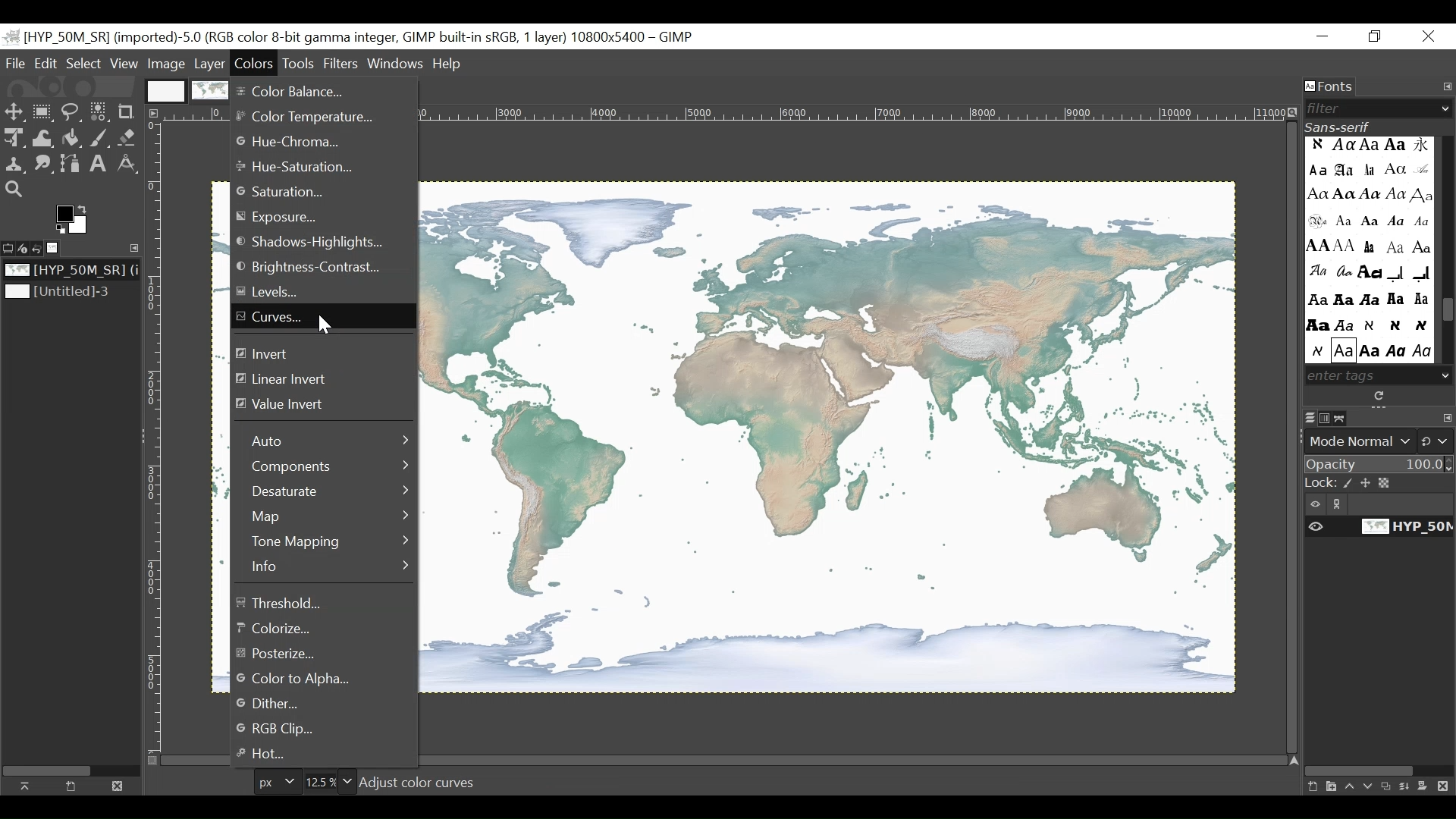 Image resolution: width=1456 pixels, height=819 pixels. Describe the element at coordinates (287, 629) in the screenshot. I see `Colorize` at that location.